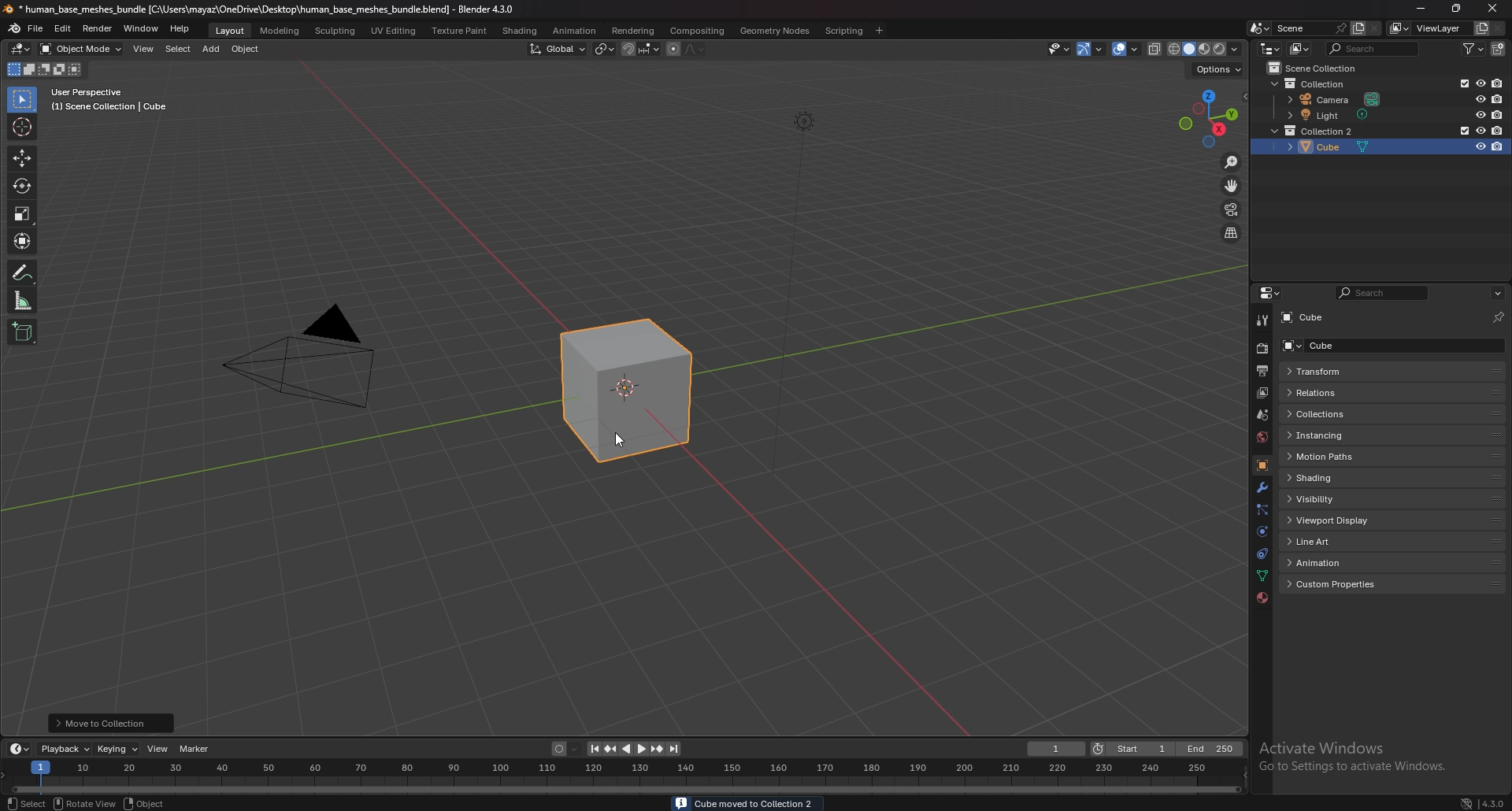 This screenshot has width=1512, height=811. Describe the element at coordinates (1263, 320) in the screenshot. I see `tool` at that location.